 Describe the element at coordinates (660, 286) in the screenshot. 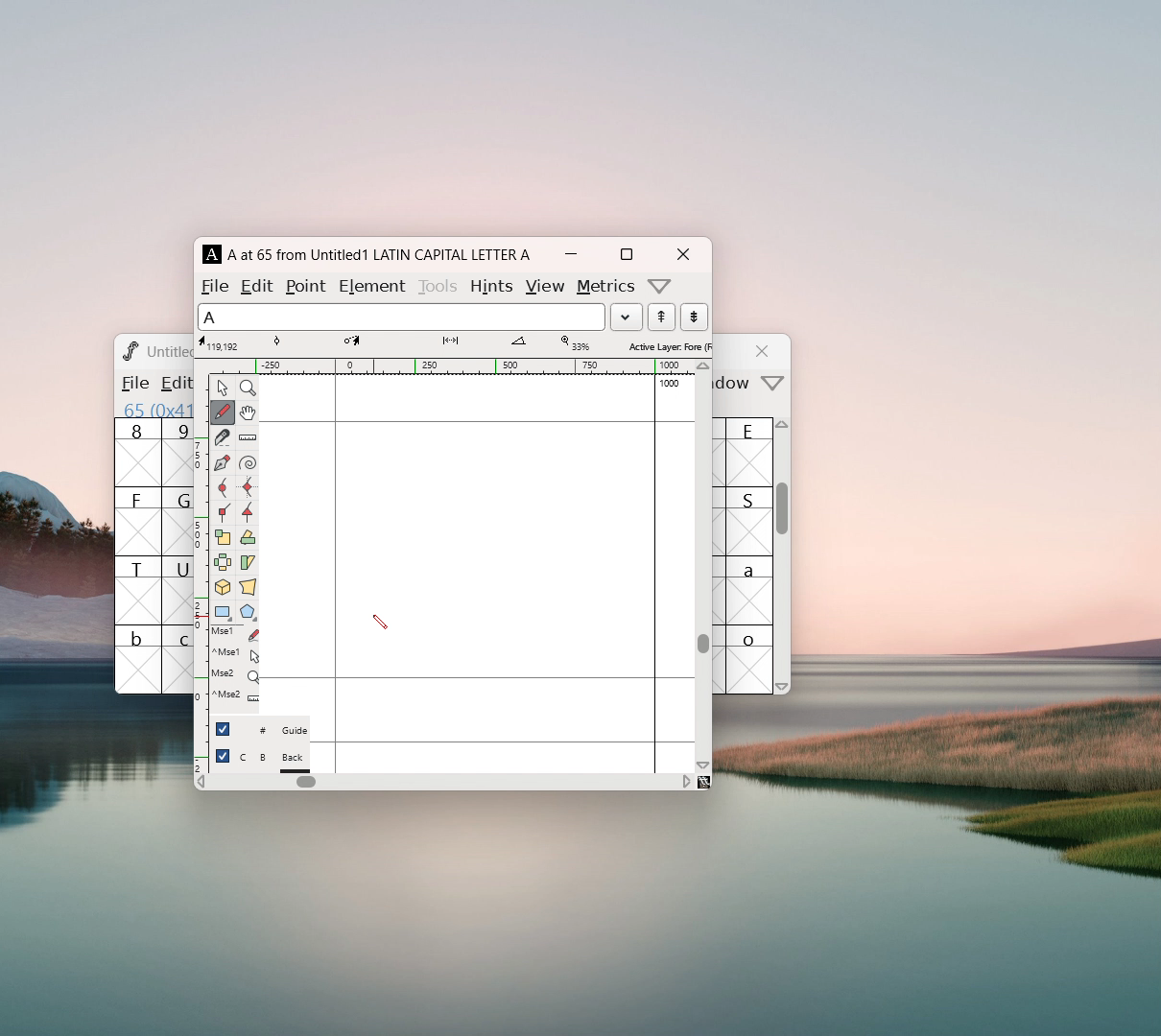

I see `more options` at that location.